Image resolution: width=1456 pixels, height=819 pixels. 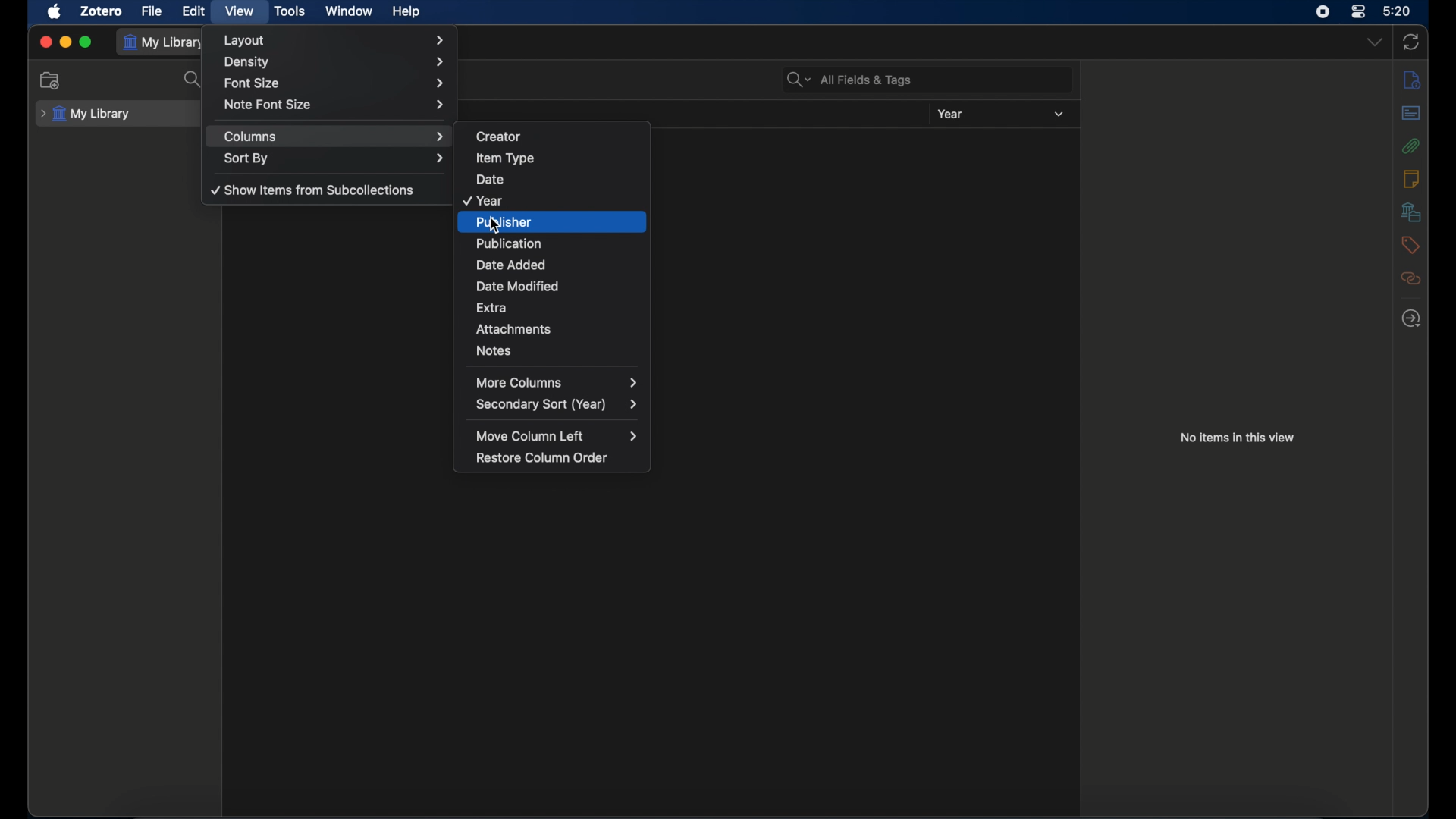 I want to click on window, so click(x=349, y=11).